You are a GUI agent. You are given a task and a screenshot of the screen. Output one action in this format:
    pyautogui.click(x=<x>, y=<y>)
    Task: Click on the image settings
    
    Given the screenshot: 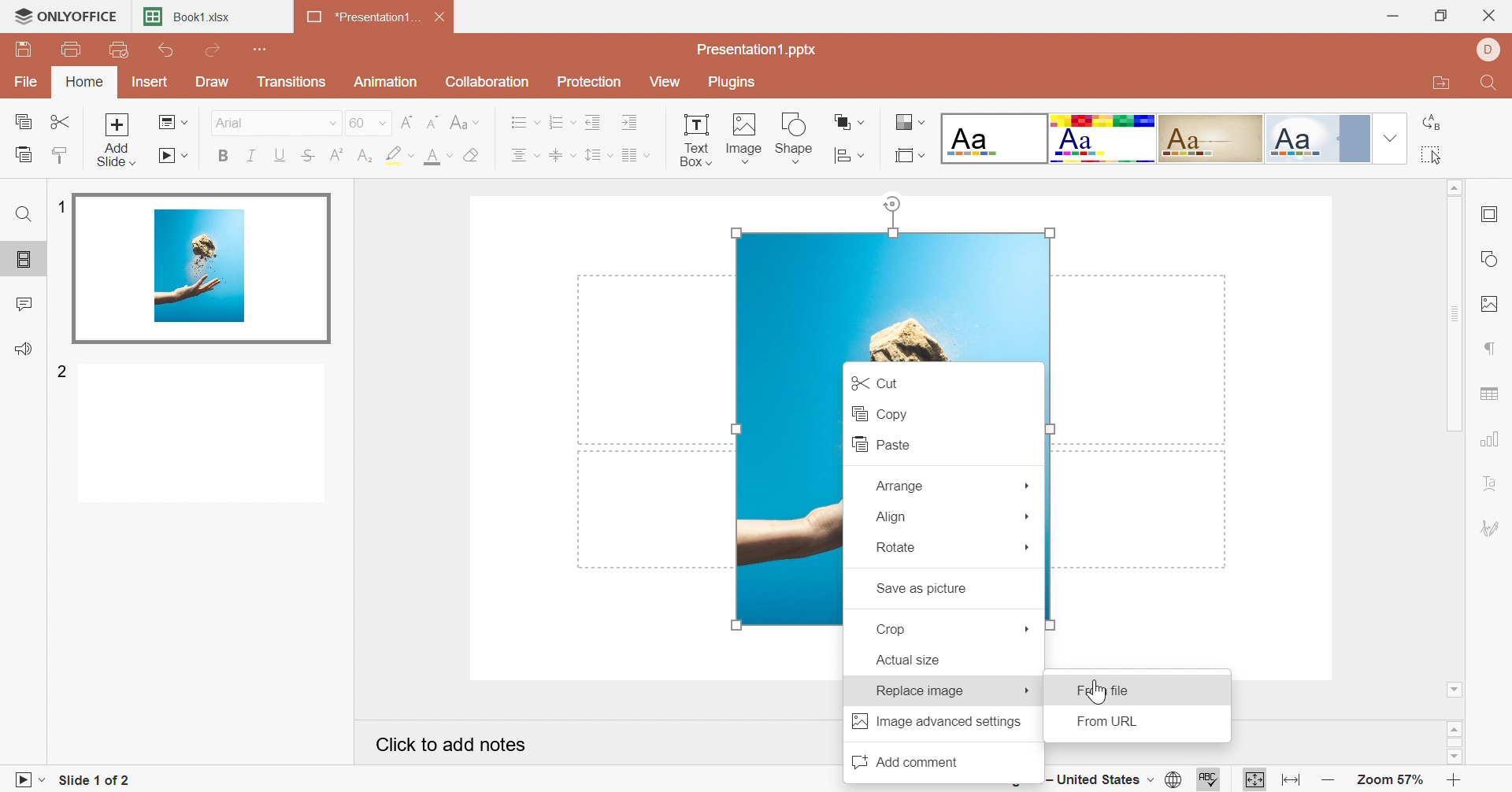 What is the action you would take?
    pyautogui.click(x=1494, y=305)
    